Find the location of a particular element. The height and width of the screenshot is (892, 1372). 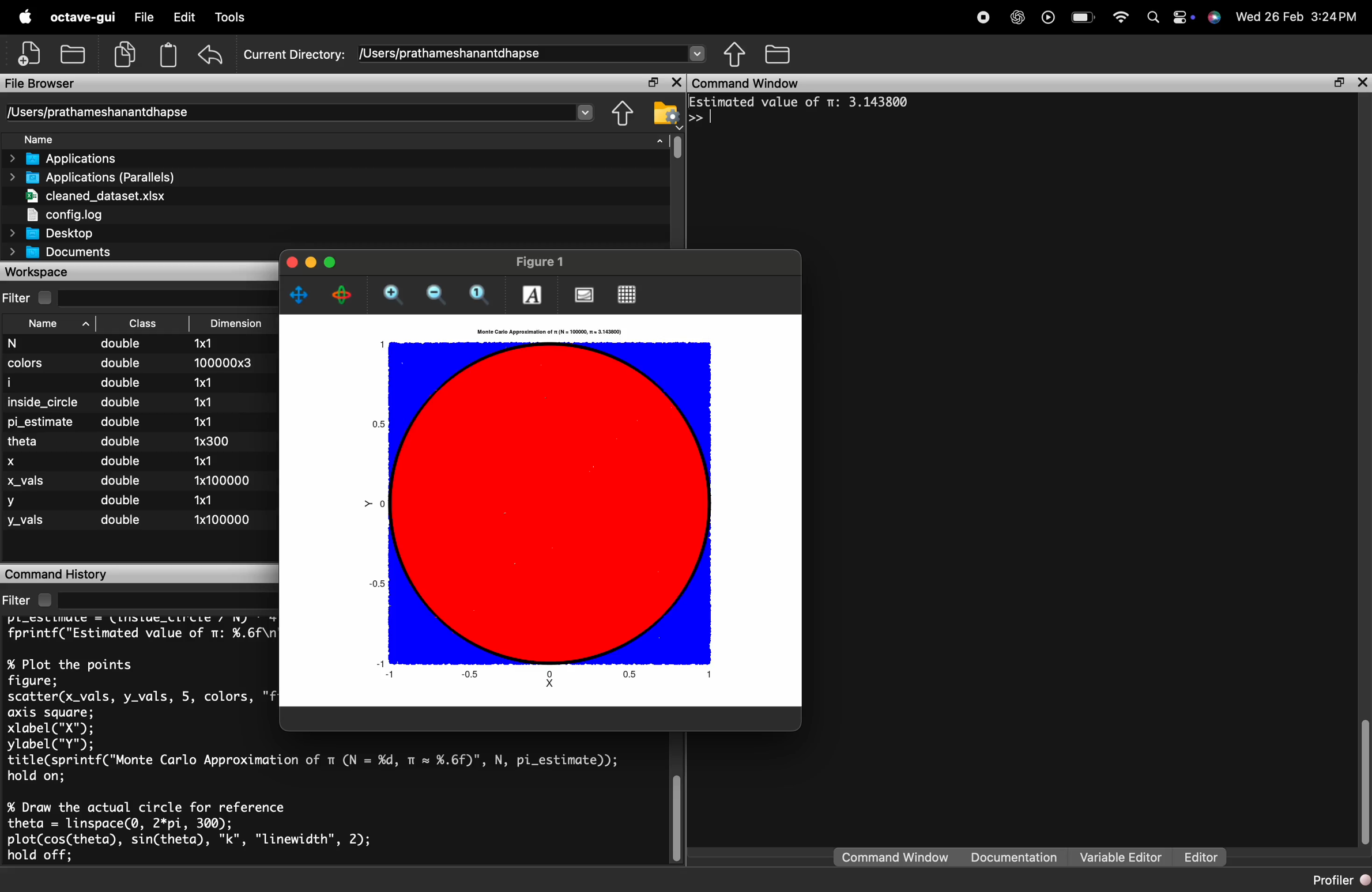

Applications (Parallels) is located at coordinates (95, 177).